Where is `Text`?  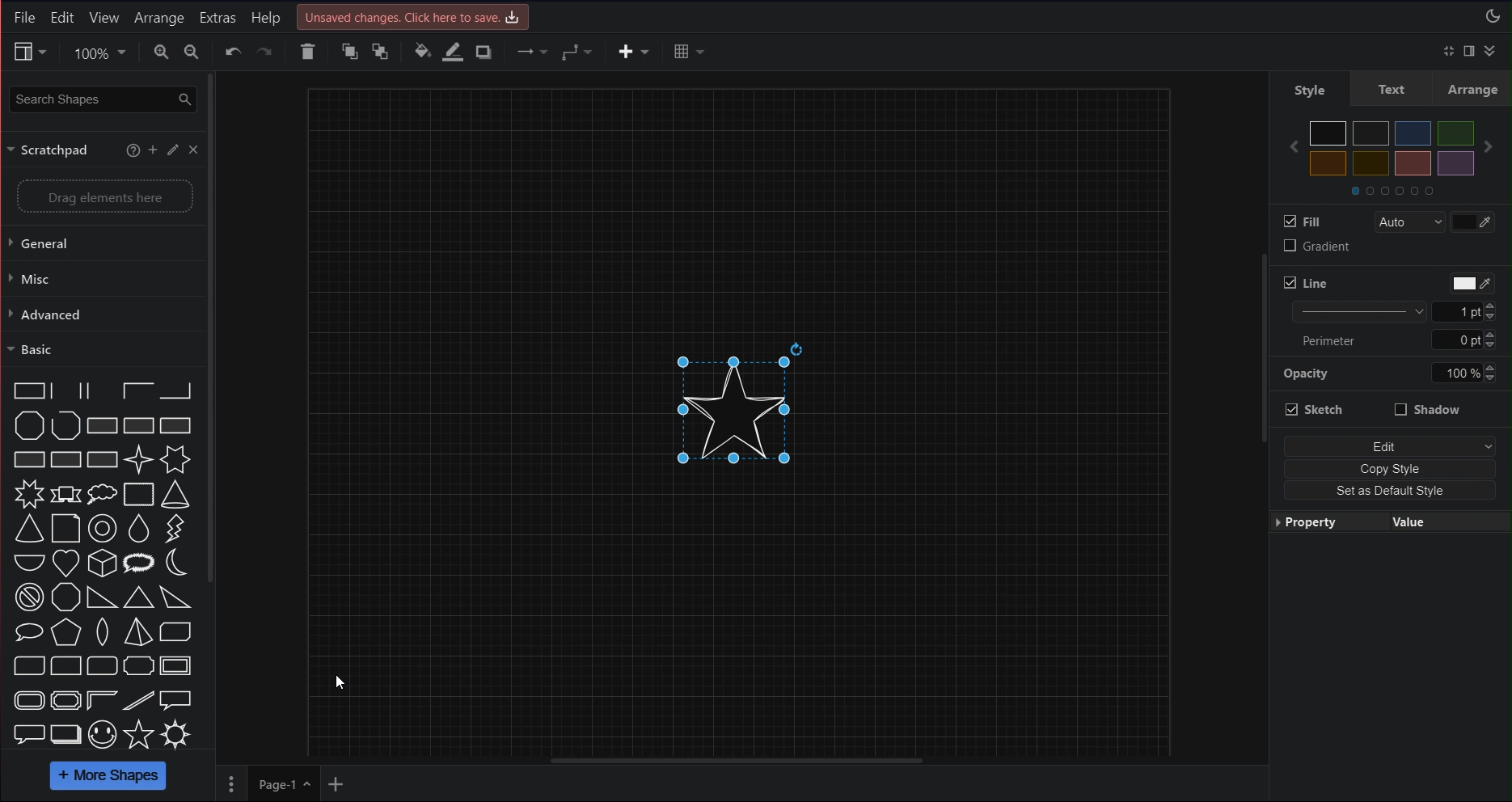 Text is located at coordinates (1390, 88).